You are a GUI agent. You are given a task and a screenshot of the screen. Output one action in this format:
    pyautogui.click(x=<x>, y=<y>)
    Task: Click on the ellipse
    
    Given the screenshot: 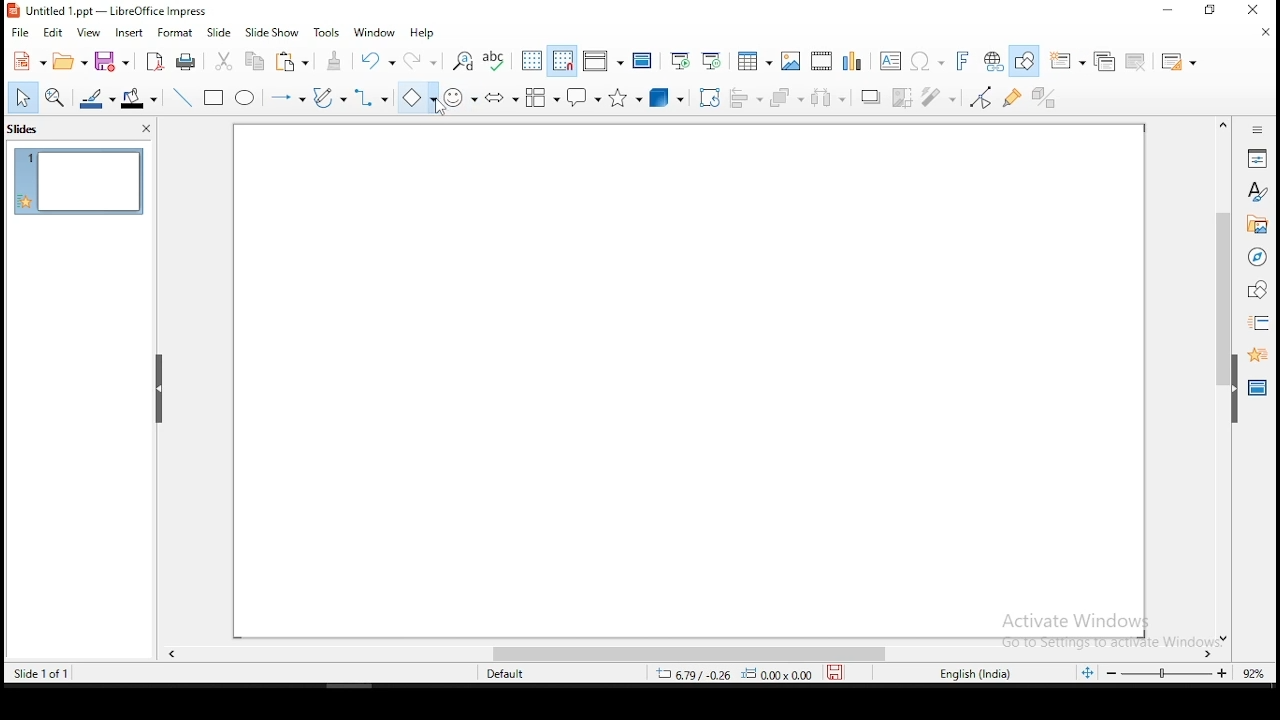 What is the action you would take?
    pyautogui.click(x=247, y=99)
    